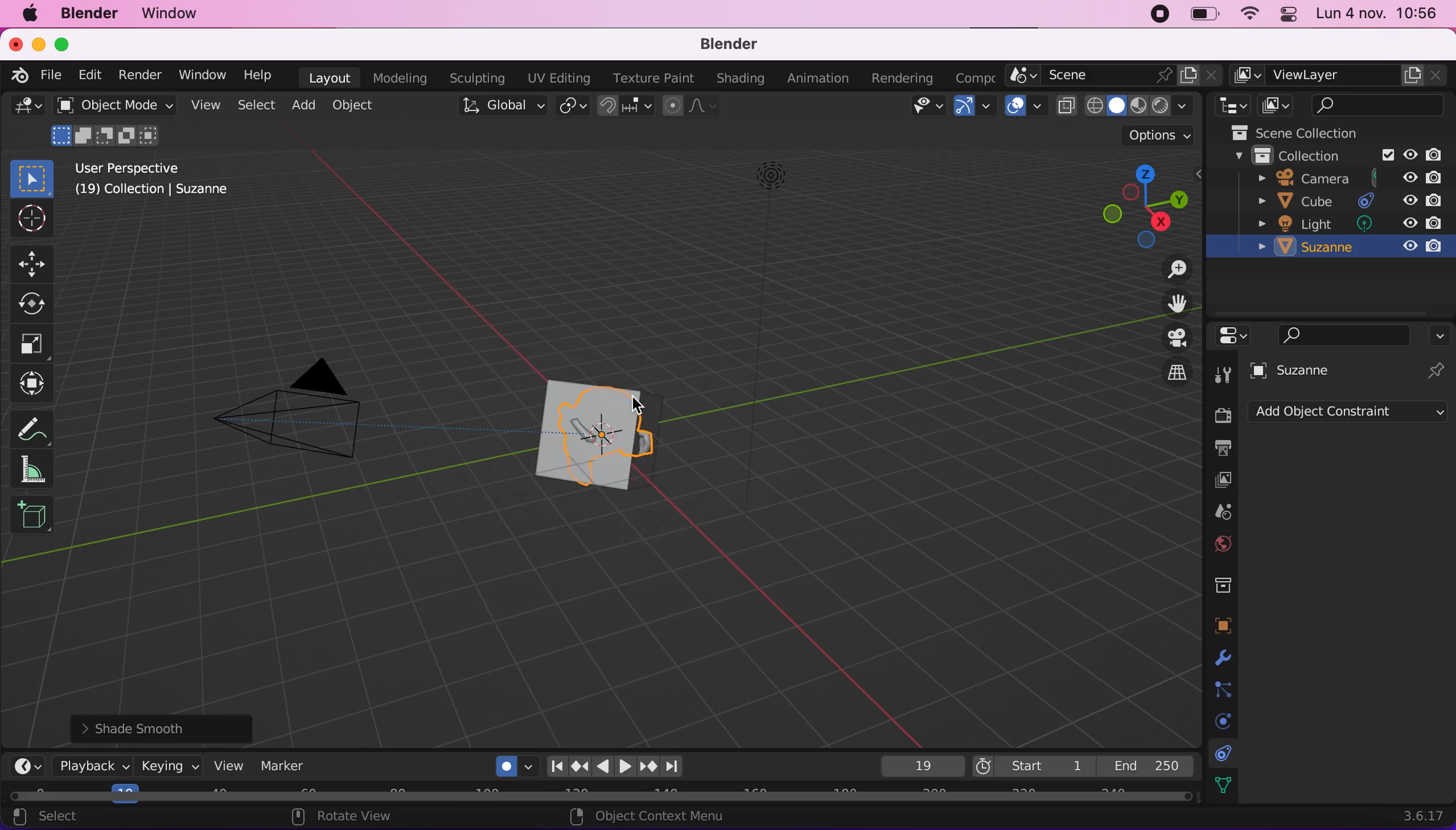 The height and width of the screenshot is (830, 1456). What do you see at coordinates (1229, 106) in the screenshot?
I see `editor type` at bounding box center [1229, 106].